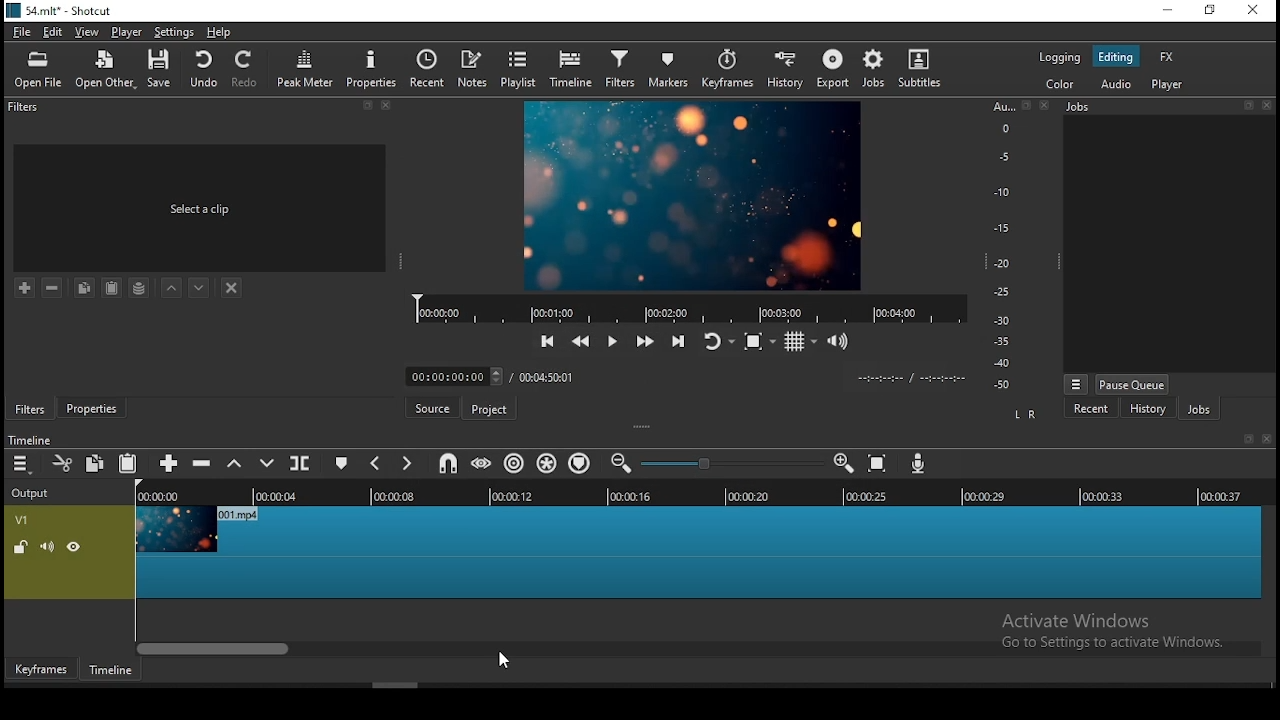  Describe the element at coordinates (504, 661) in the screenshot. I see `mouse pointer` at that location.